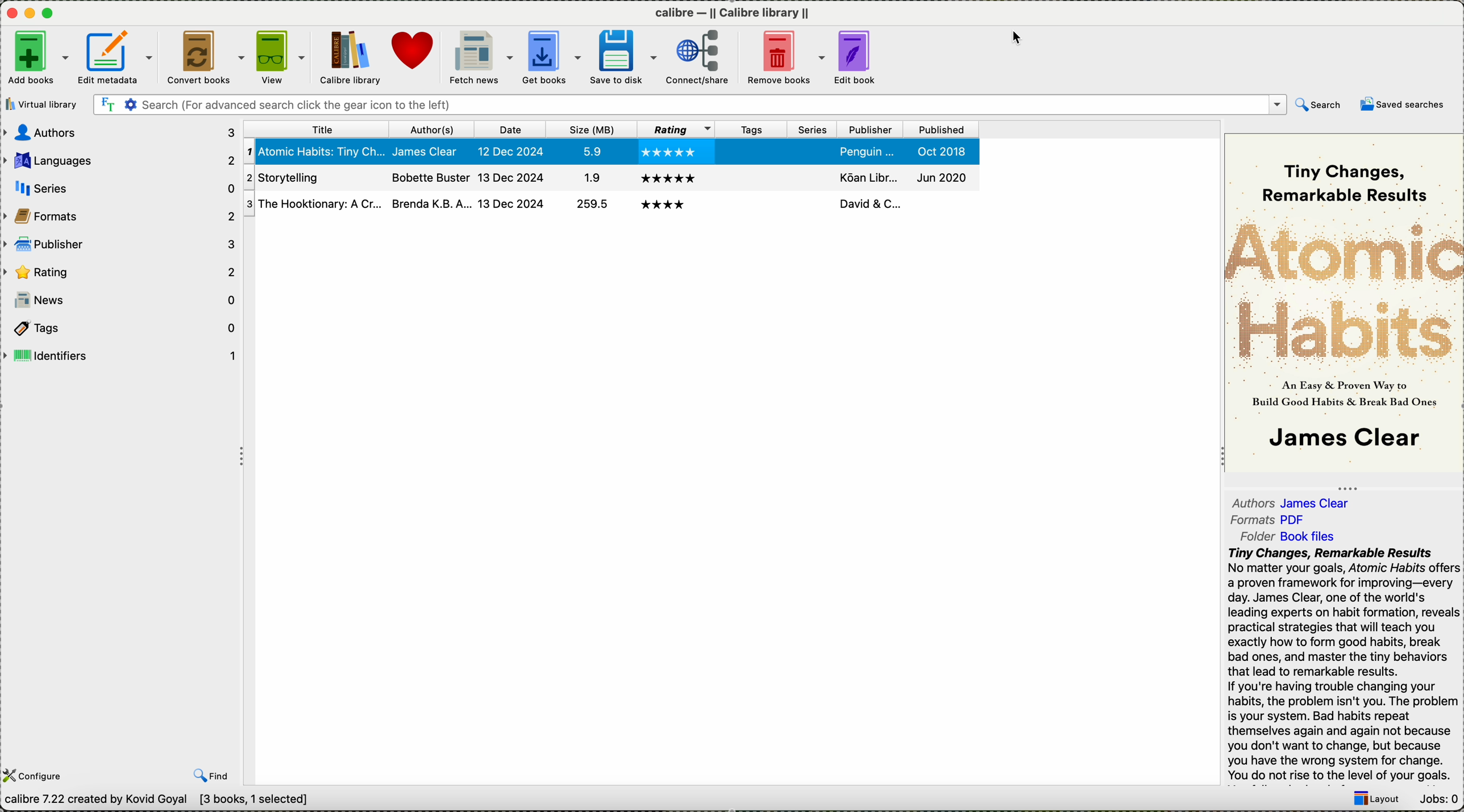 The height and width of the screenshot is (812, 1464). Describe the element at coordinates (942, 202) in the screenshot. I see `jun 2020` at that location.